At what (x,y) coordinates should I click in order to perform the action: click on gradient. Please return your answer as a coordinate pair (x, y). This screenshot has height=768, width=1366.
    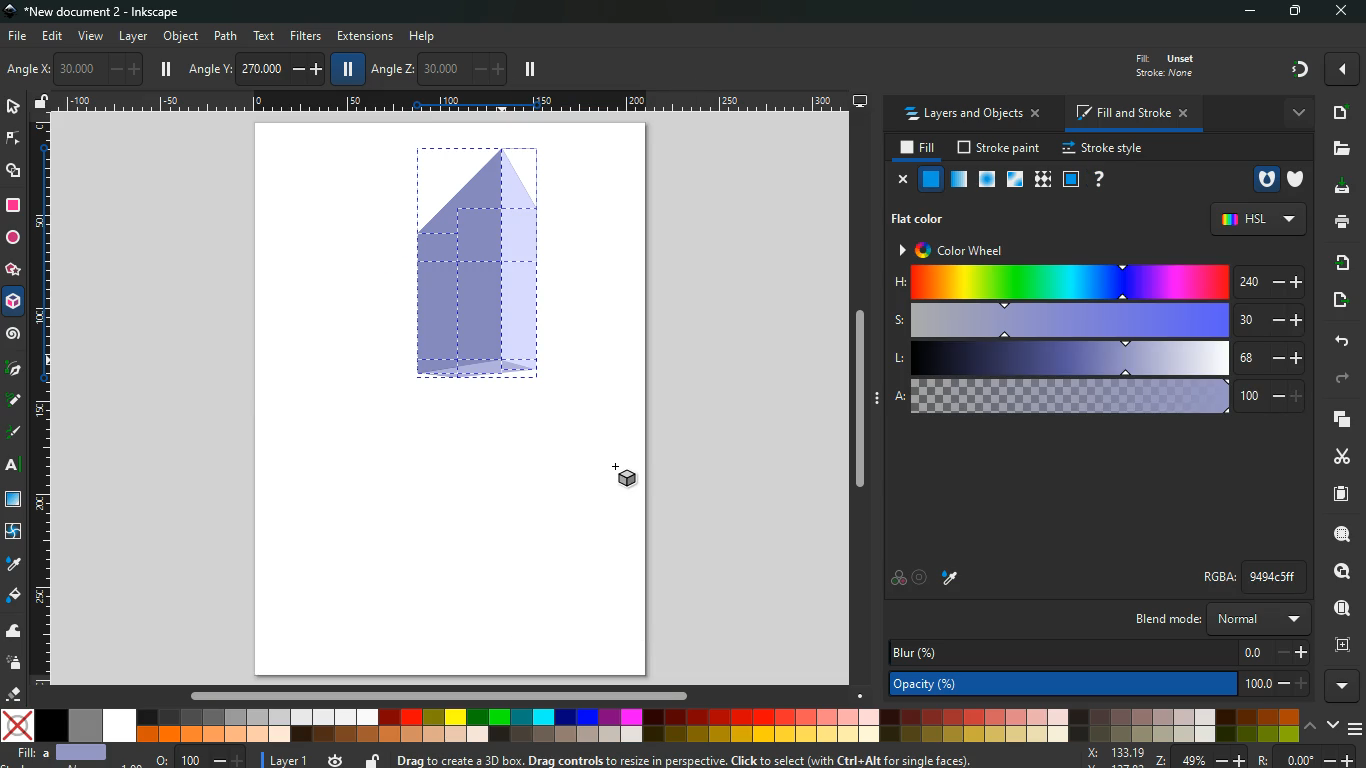
    Looking at the image, I should click on (1301, 68).